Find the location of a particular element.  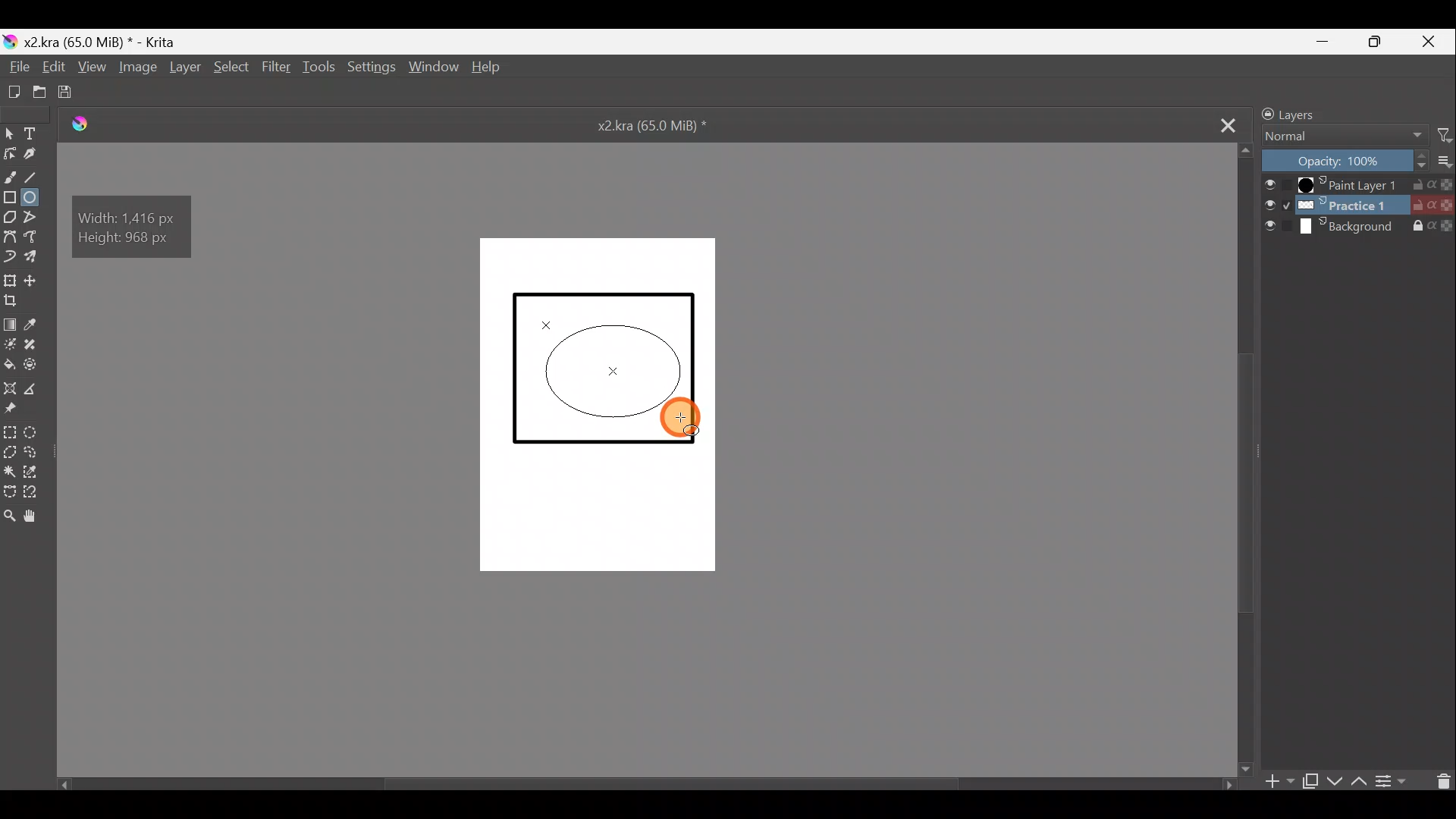

Filter is located at coordinates (1438, 136).